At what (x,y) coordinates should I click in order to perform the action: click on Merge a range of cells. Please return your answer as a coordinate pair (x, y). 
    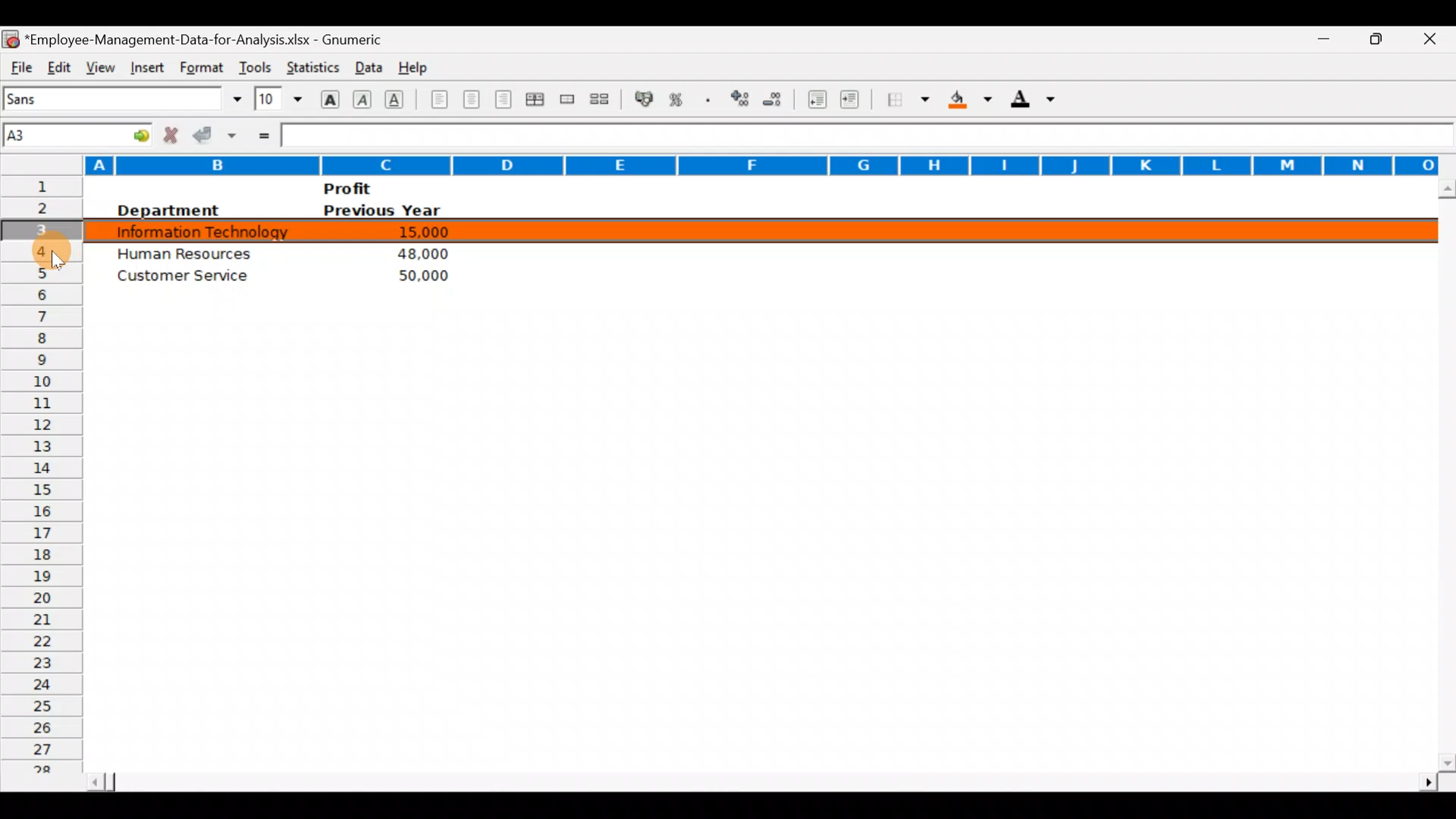
    Looking at the image, I should click on (566, 101).